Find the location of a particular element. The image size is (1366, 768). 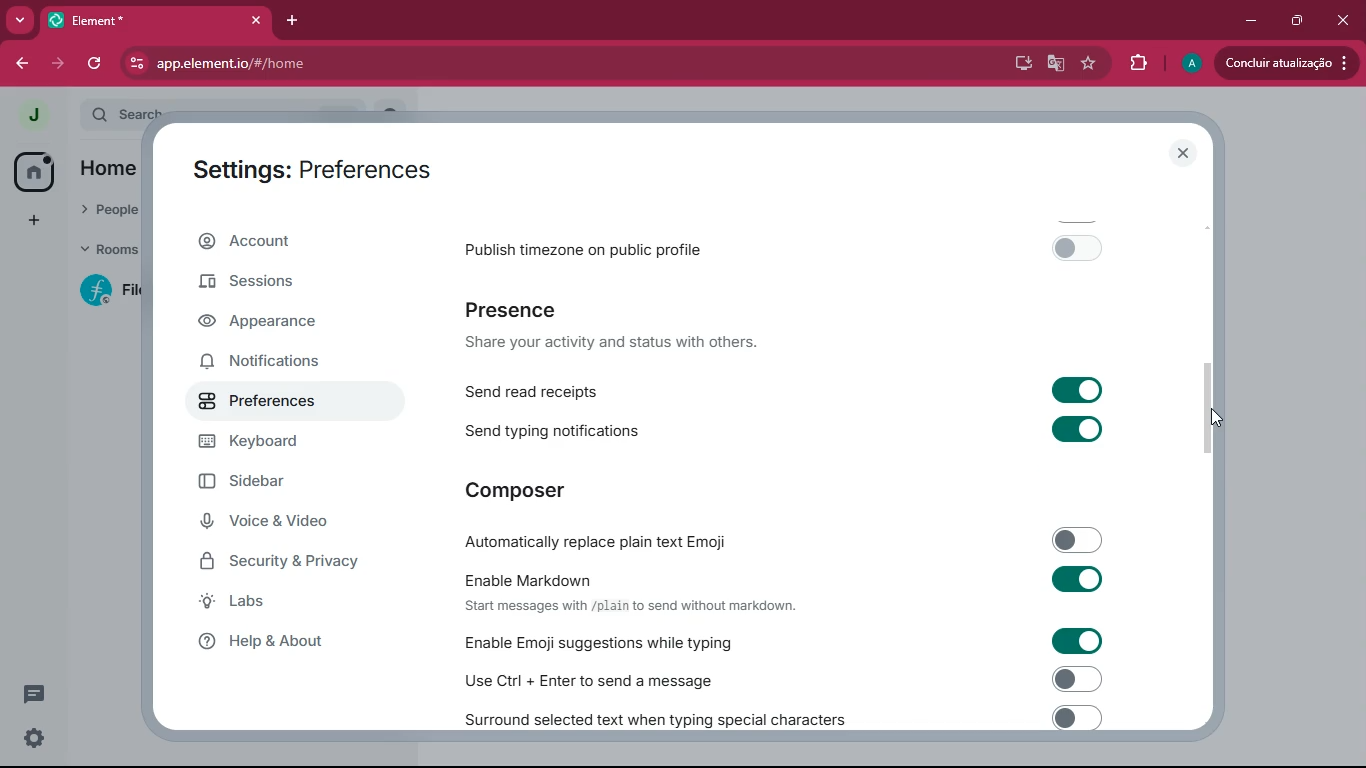

enable markdown is located at coordinates (786, 589).